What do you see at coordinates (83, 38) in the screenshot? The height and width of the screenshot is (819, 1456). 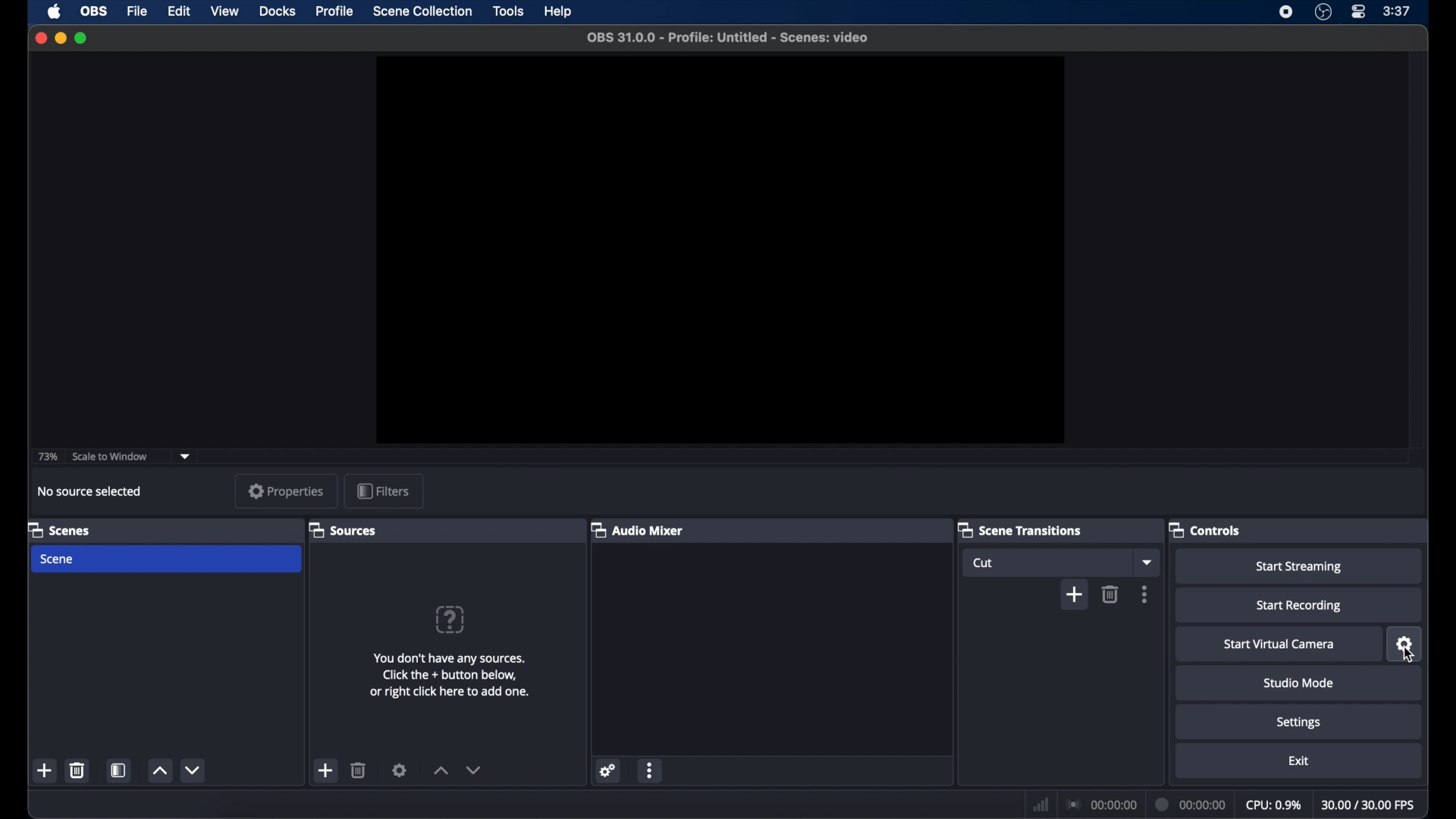 I see `maximize` at bounding box center [83, 38].